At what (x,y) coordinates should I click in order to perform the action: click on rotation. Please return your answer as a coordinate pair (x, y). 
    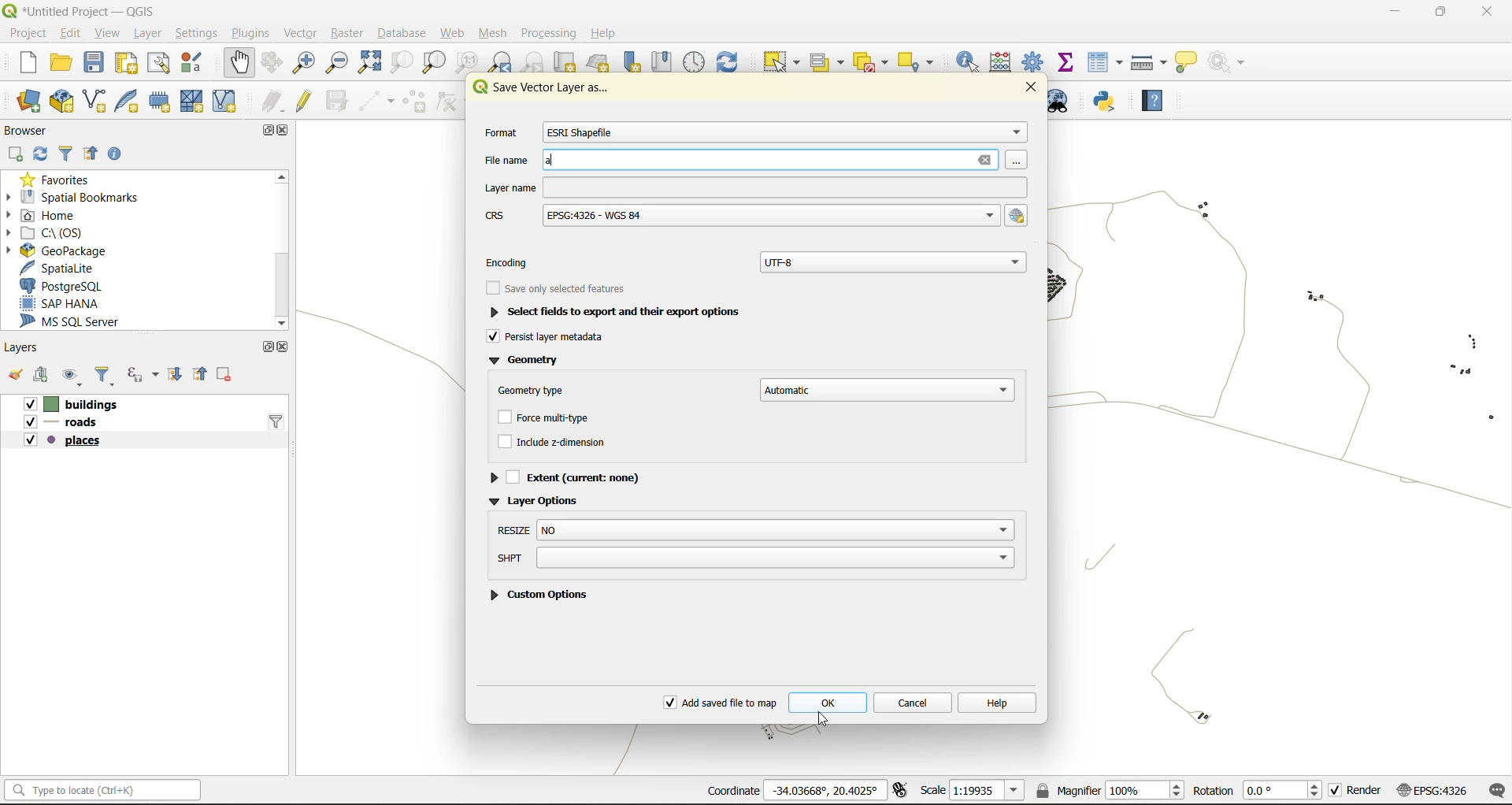
    Looking at the image, I should click on (1258, 792).